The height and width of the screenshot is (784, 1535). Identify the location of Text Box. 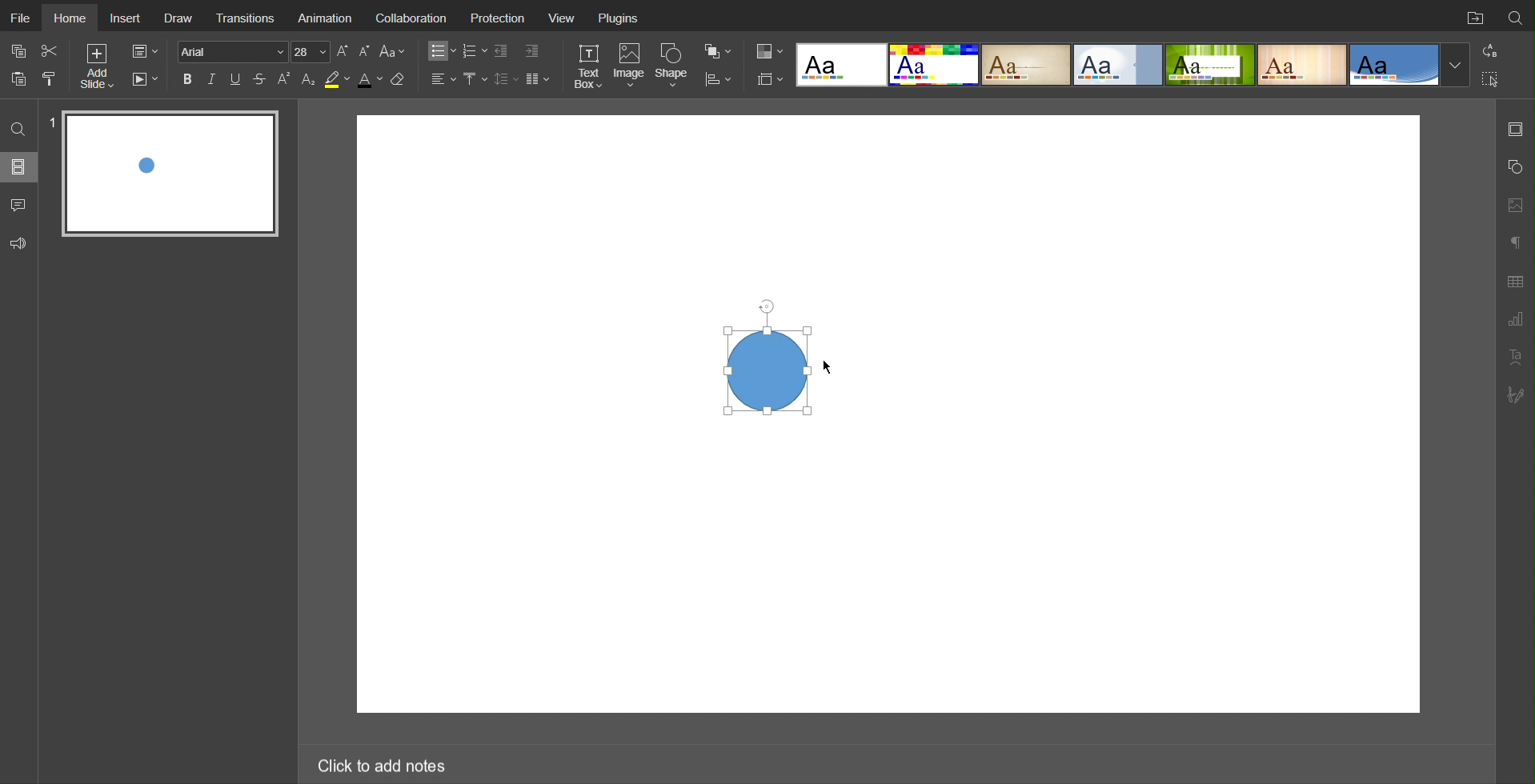
(587, 66).